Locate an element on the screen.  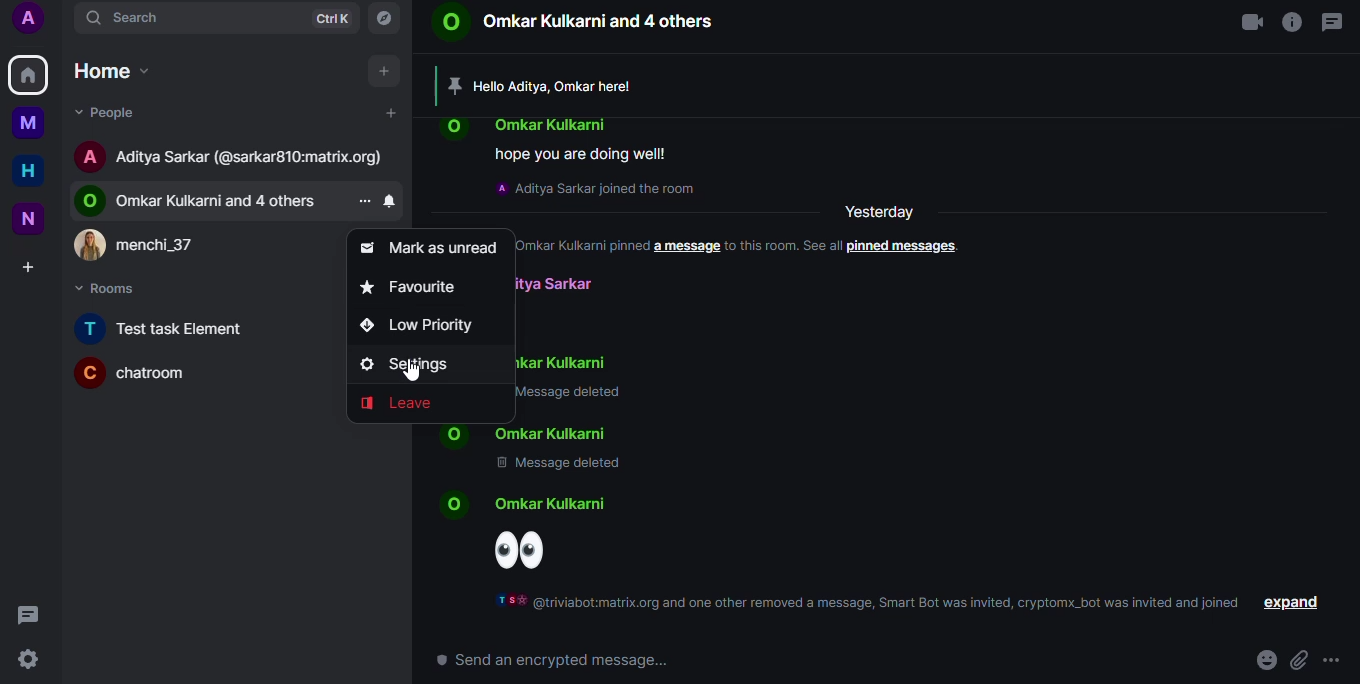
A Aditya Sarkar joined the room is located at coordinates (596, 189).